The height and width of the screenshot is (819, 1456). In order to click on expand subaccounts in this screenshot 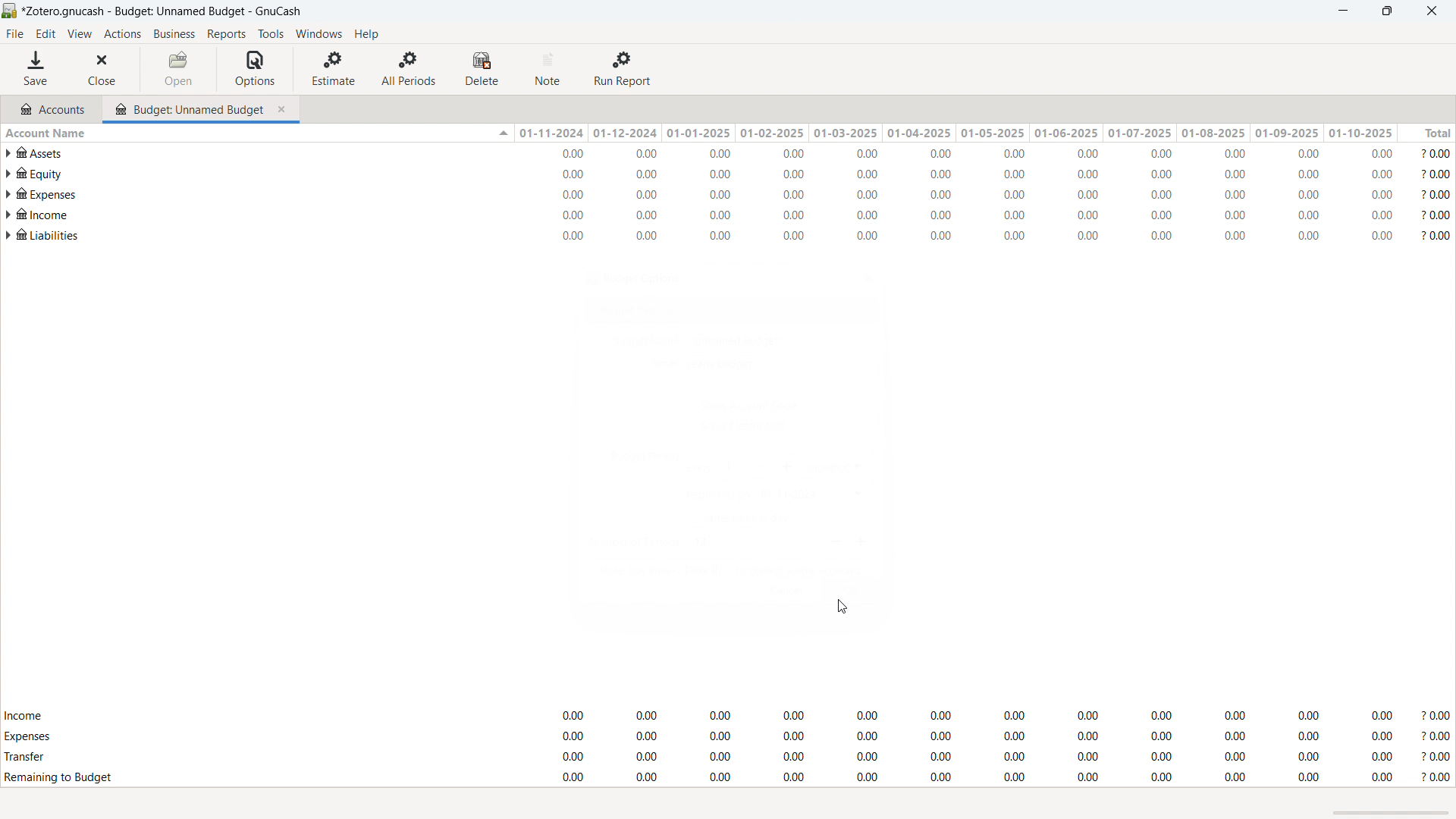, I will do `click(9, 235)`.